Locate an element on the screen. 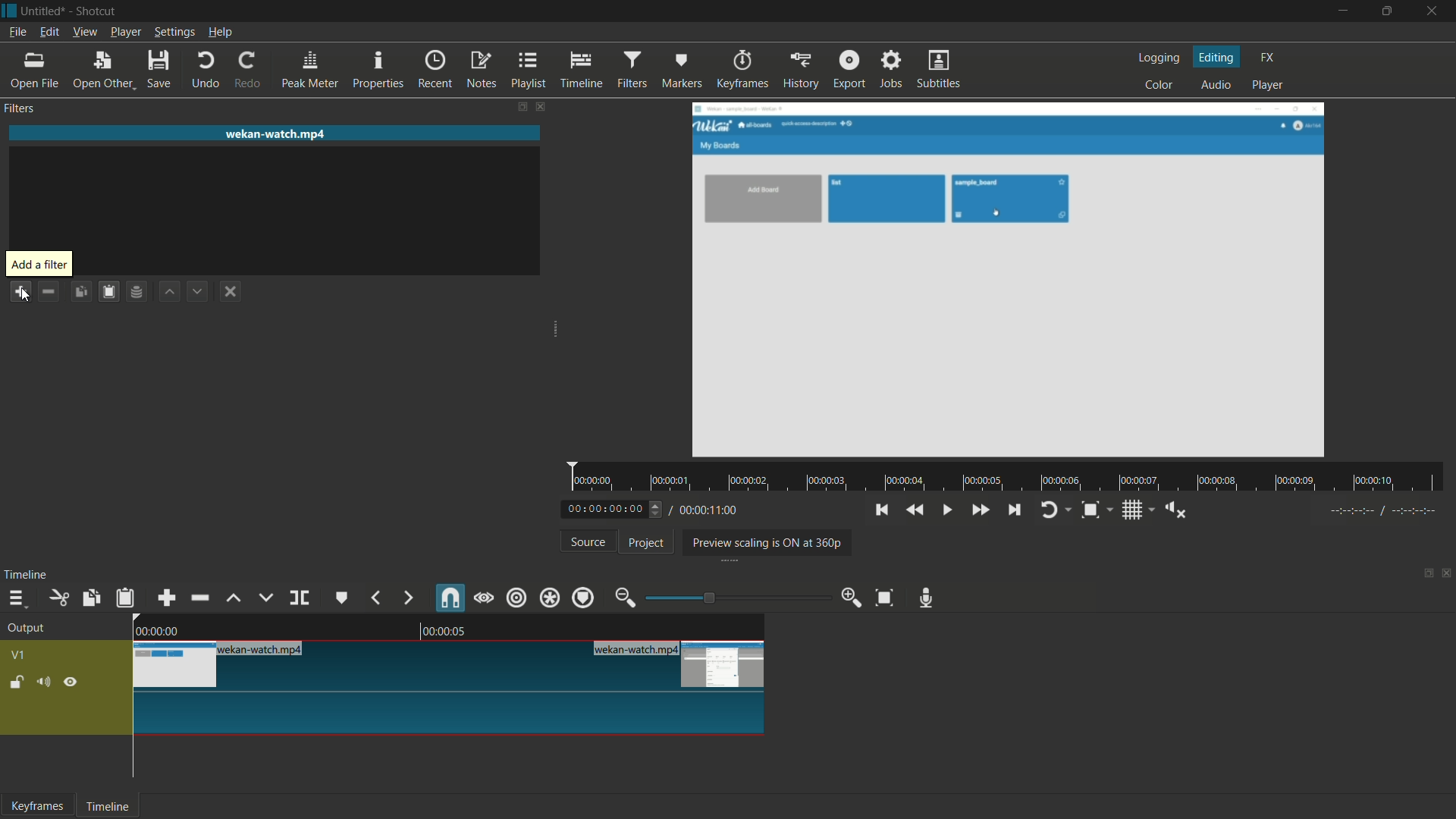  move filter down is located at coordinates (198, 290).